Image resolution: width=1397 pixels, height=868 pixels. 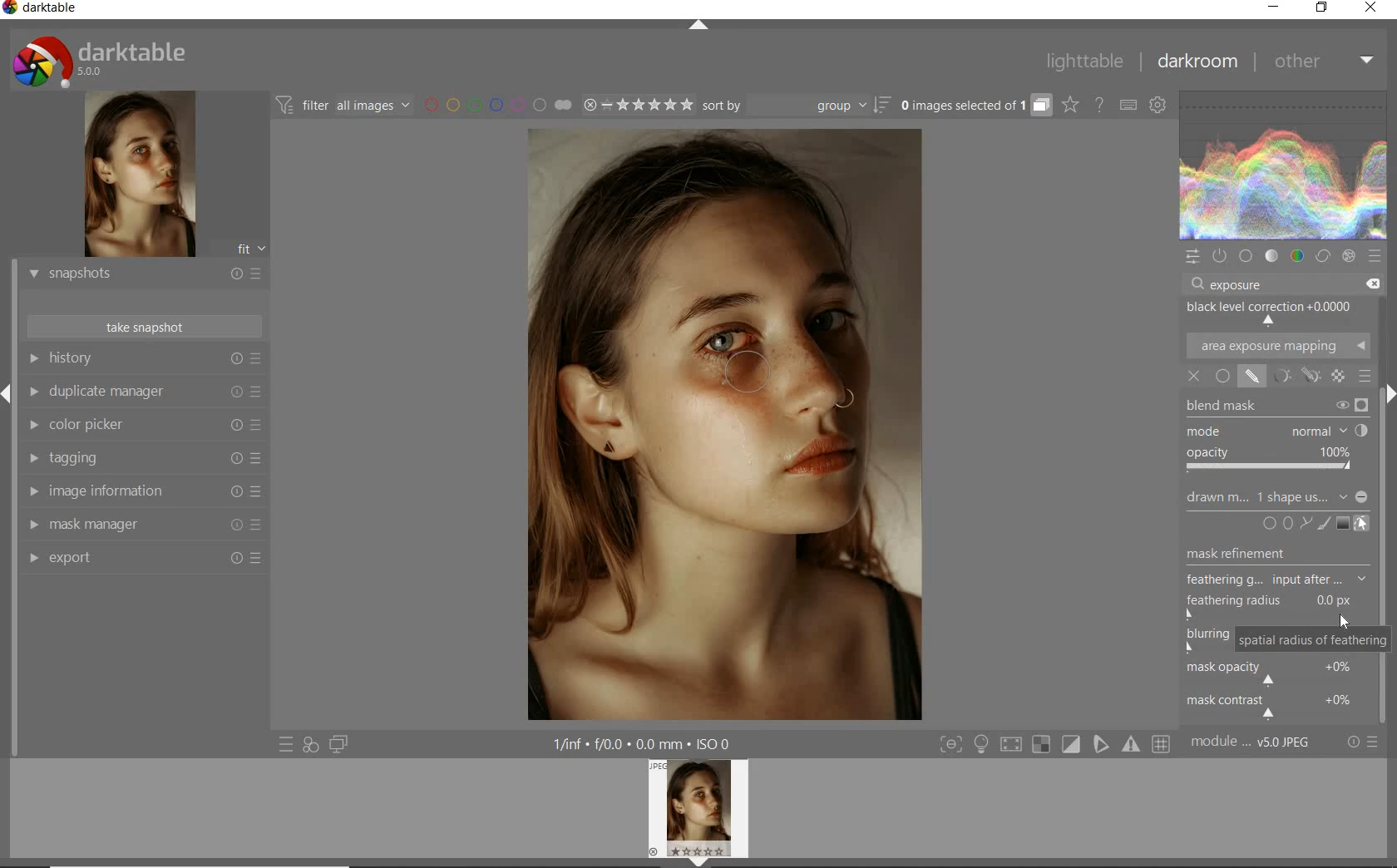 I want to click on AREA EXPOSURE MAPPING, so click(x=1278, y=348).